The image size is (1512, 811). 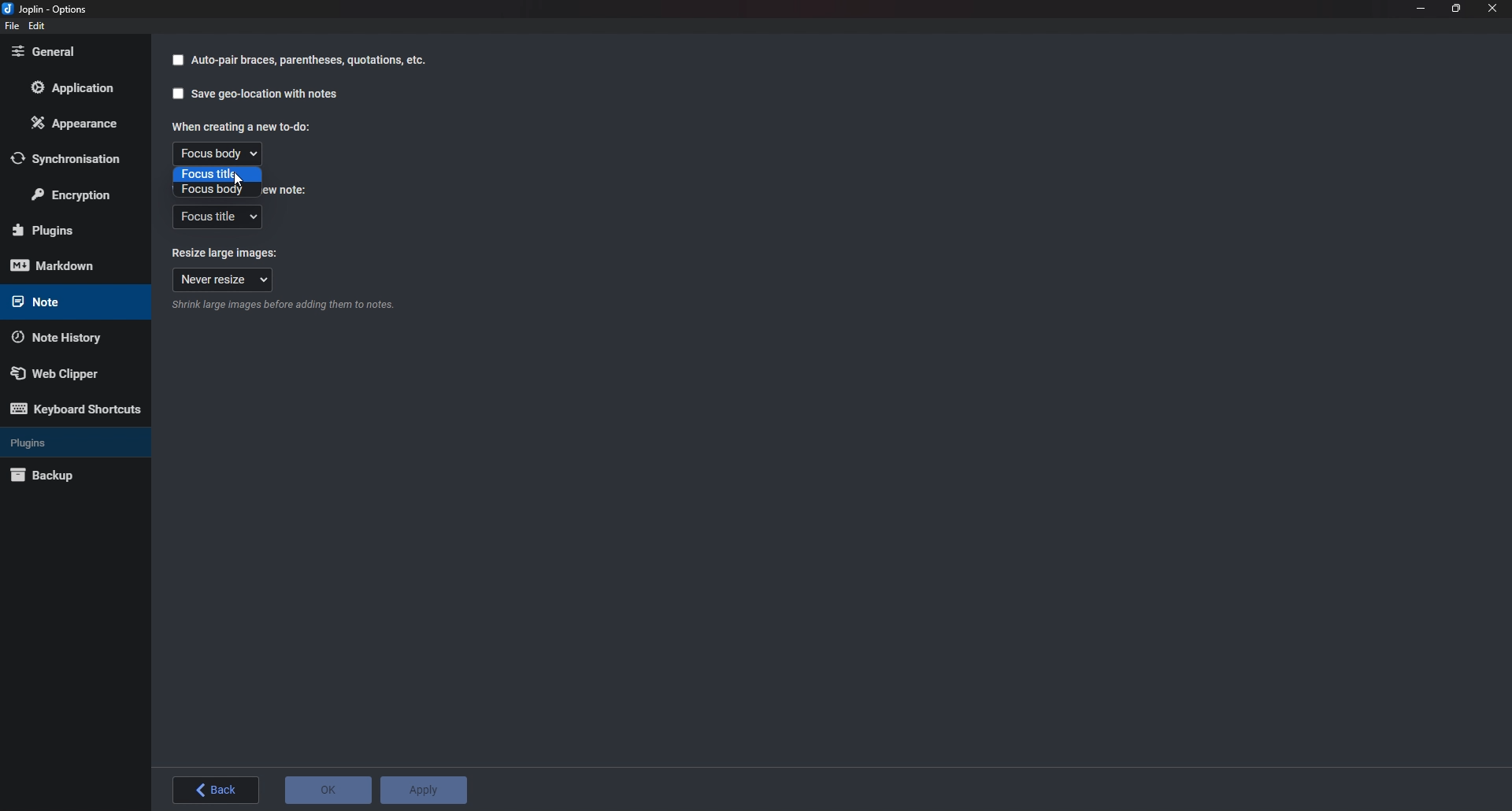 I want to click on Appearance, so click(x=77, y=123).